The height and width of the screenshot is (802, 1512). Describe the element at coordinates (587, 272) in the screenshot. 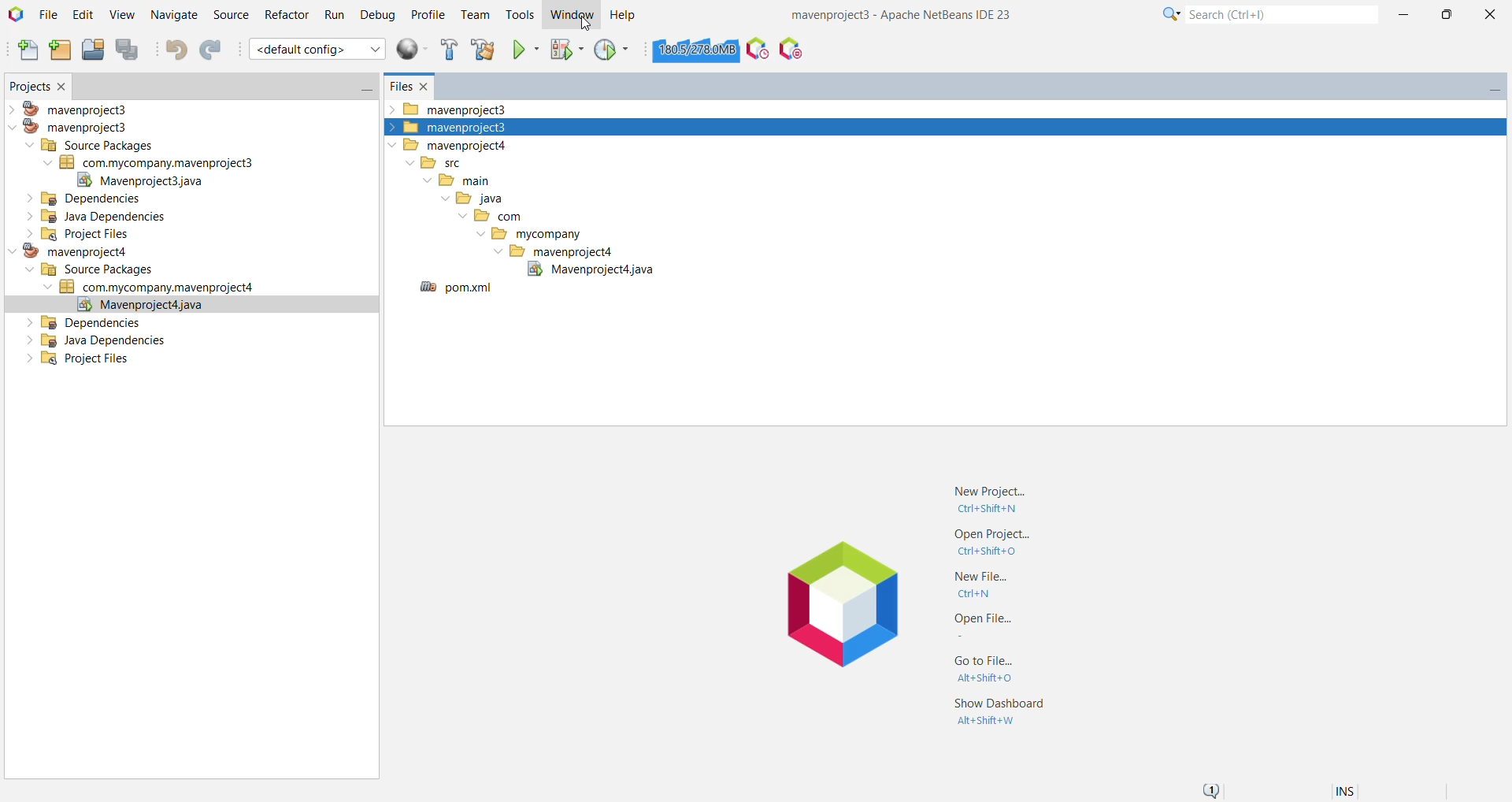

I see `Mavenproject3java` at that location.